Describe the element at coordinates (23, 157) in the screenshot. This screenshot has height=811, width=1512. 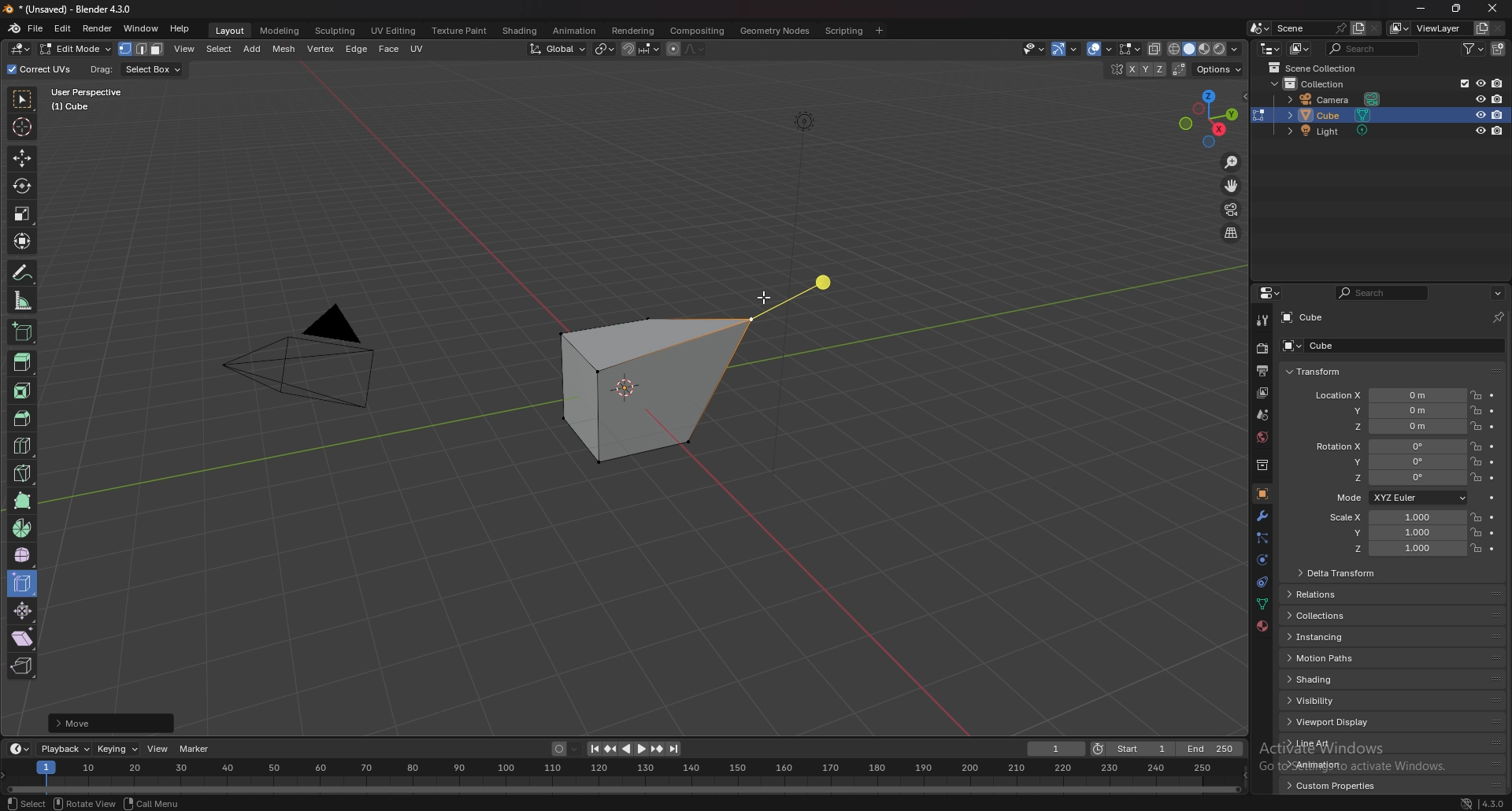
I see `move` at that location.